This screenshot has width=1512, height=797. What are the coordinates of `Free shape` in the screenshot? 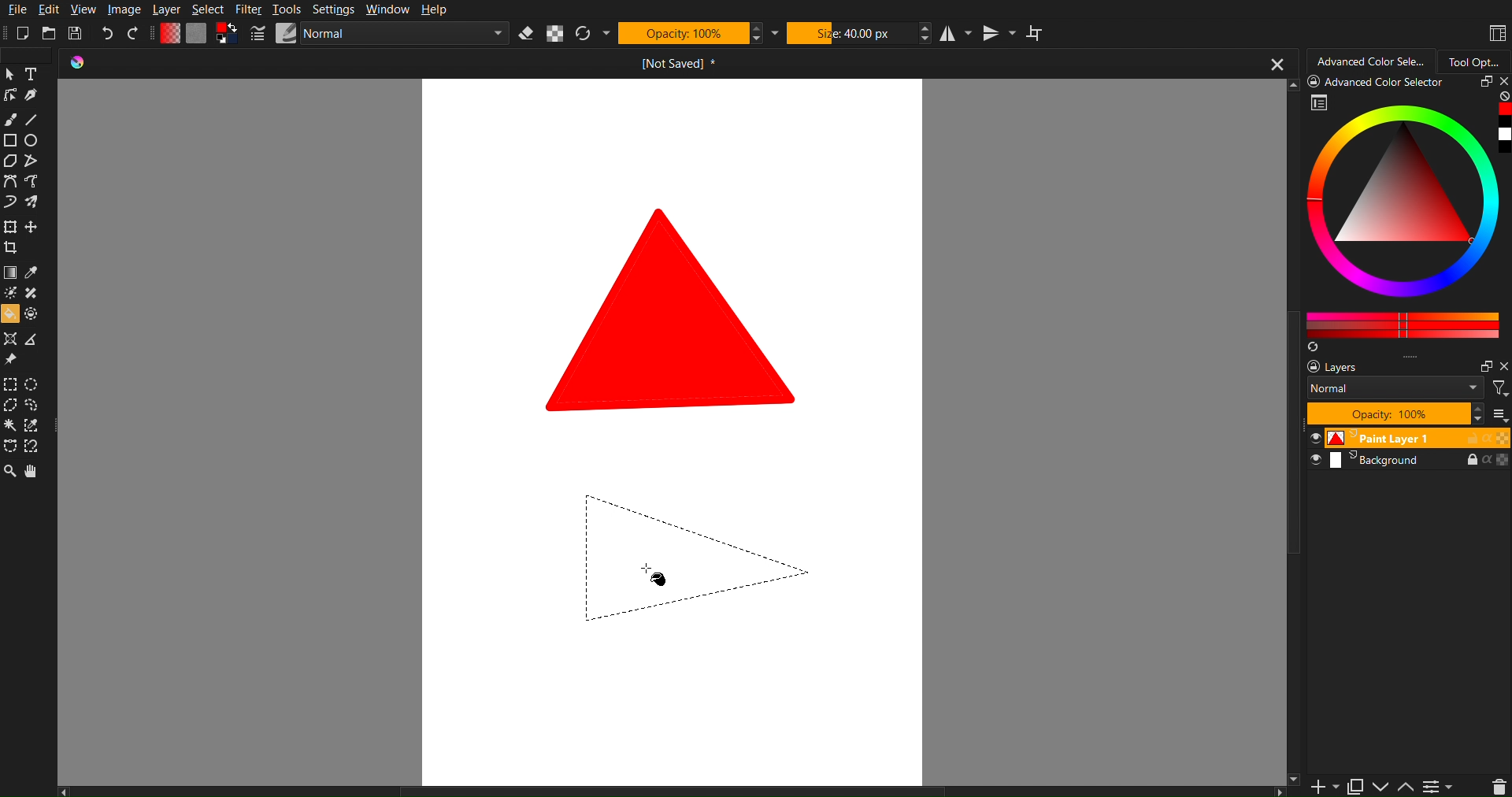 It's located at (30, 161).